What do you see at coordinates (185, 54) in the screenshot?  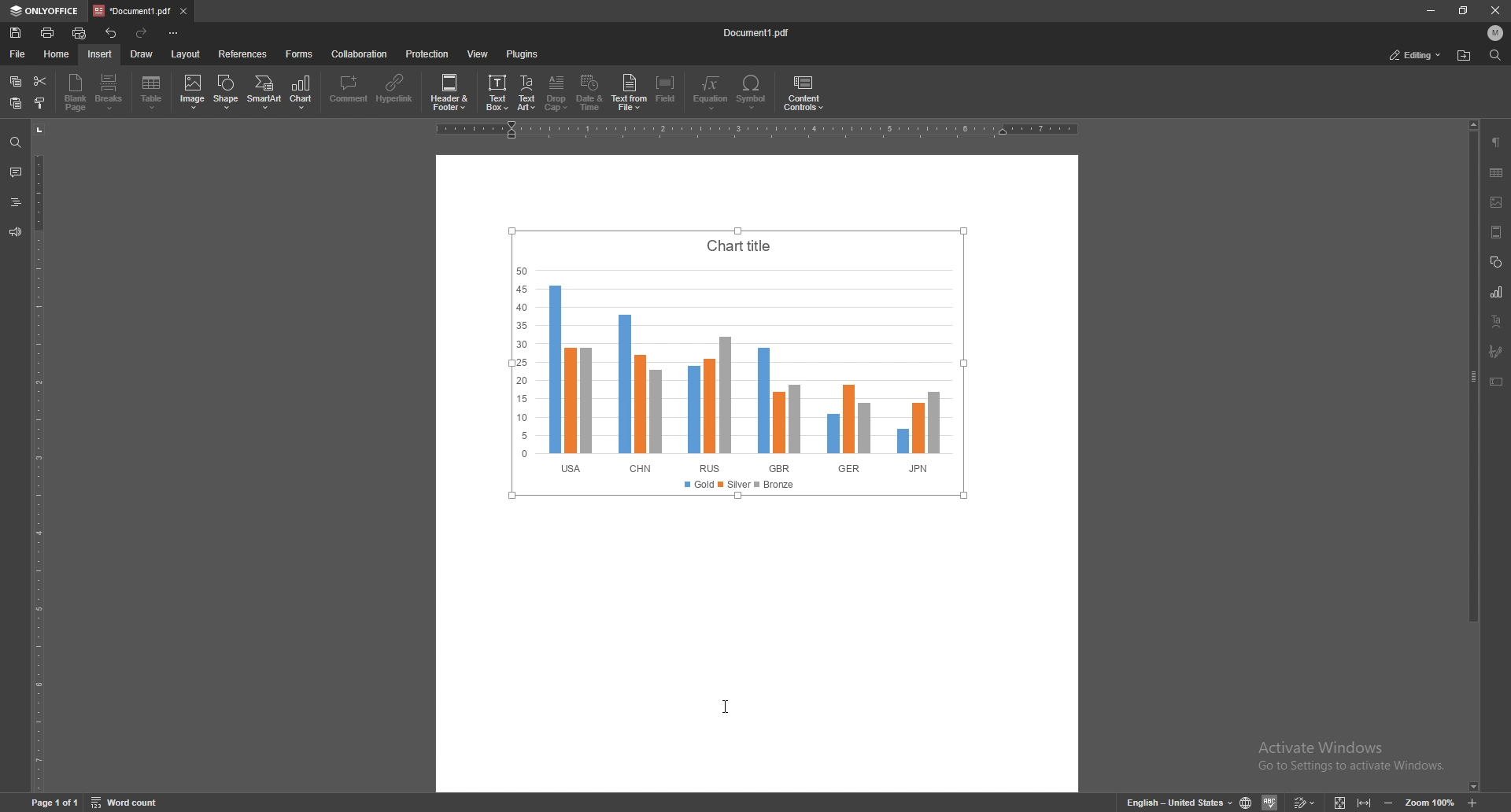 I see `layout` at bounding box center [185, 54].